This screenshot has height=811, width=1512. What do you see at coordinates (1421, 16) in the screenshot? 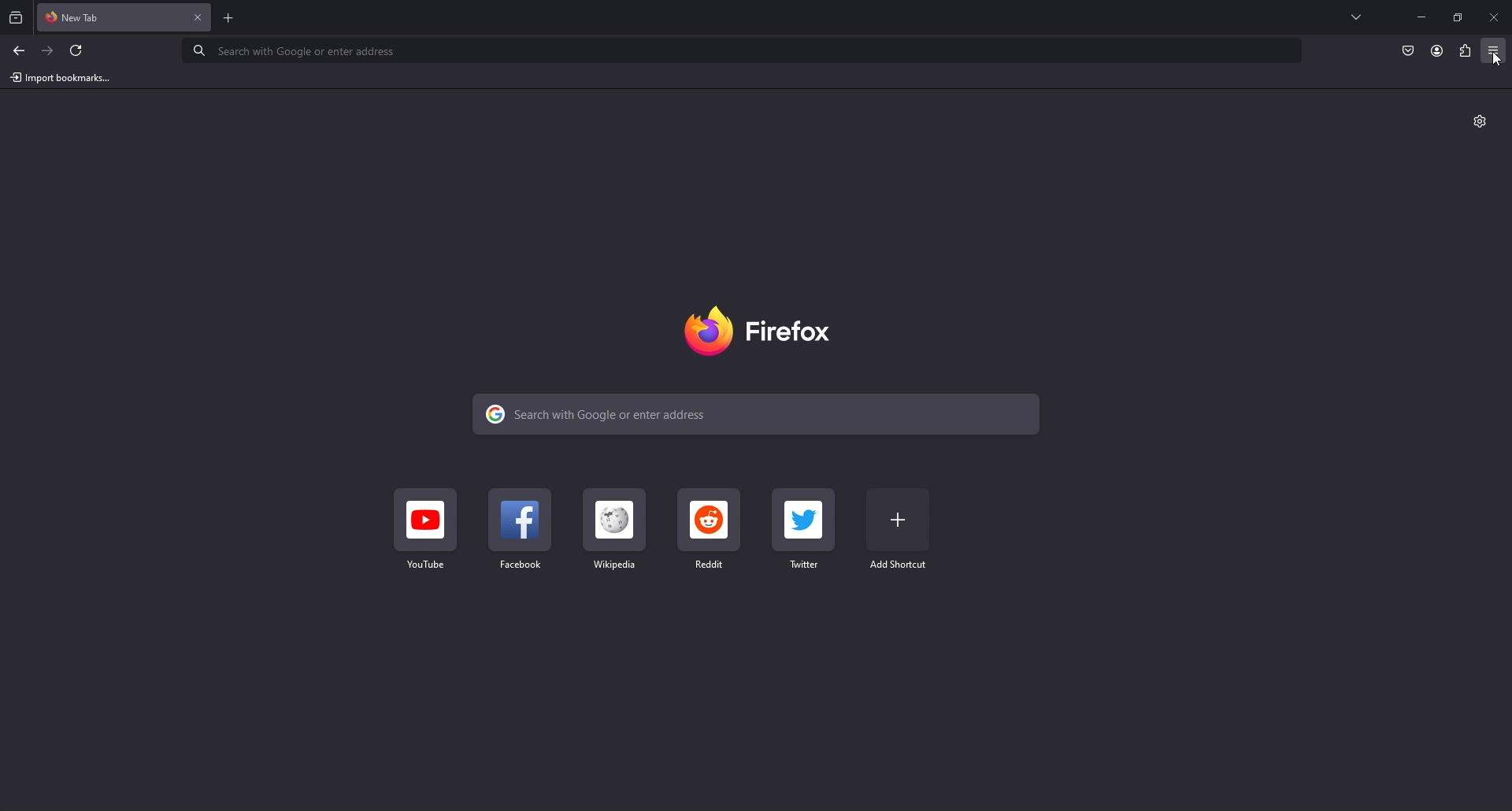
I see `minimize` at bounding box center [1421, 16].